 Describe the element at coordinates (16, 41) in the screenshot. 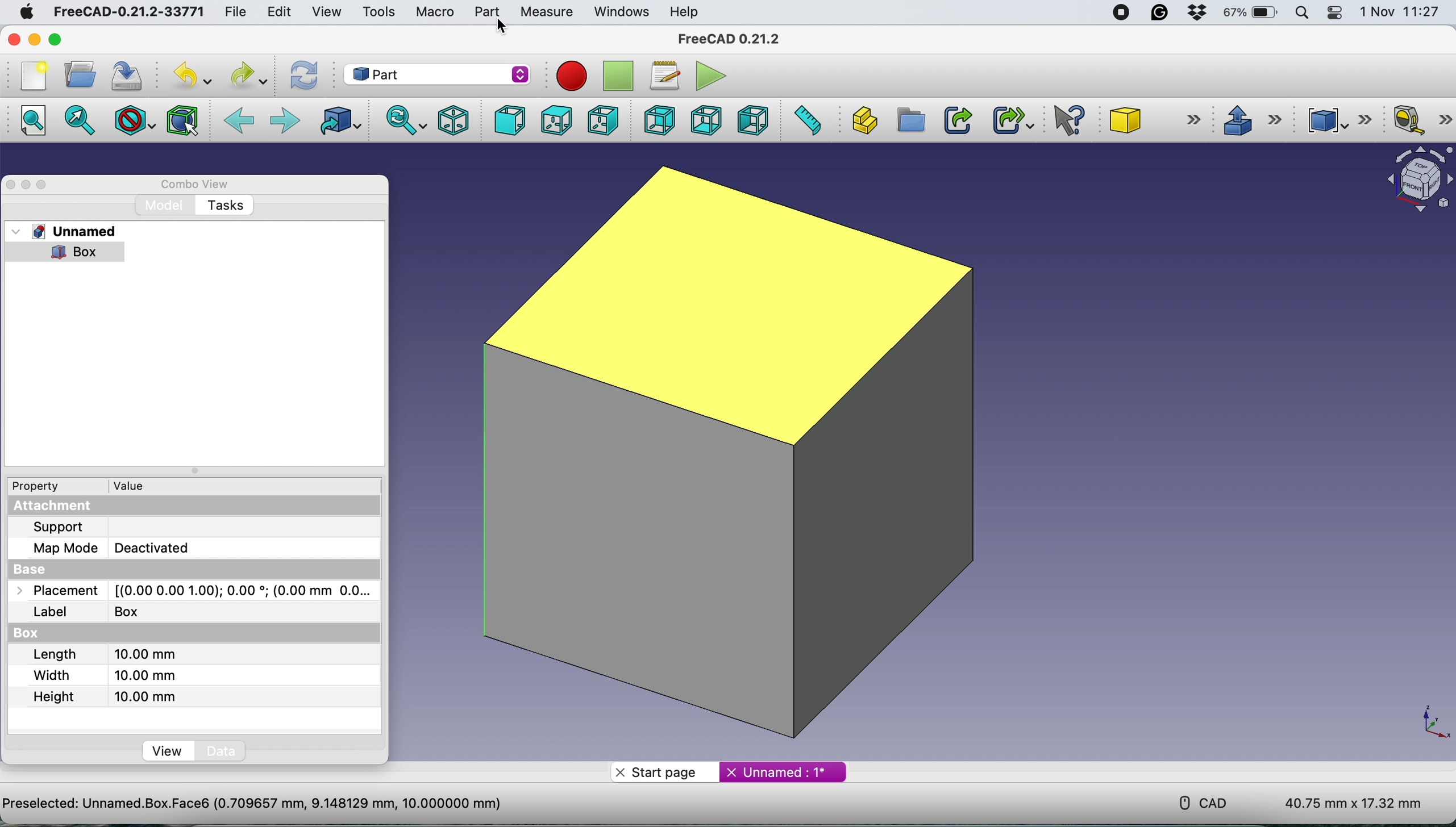

I see `close` at that location.